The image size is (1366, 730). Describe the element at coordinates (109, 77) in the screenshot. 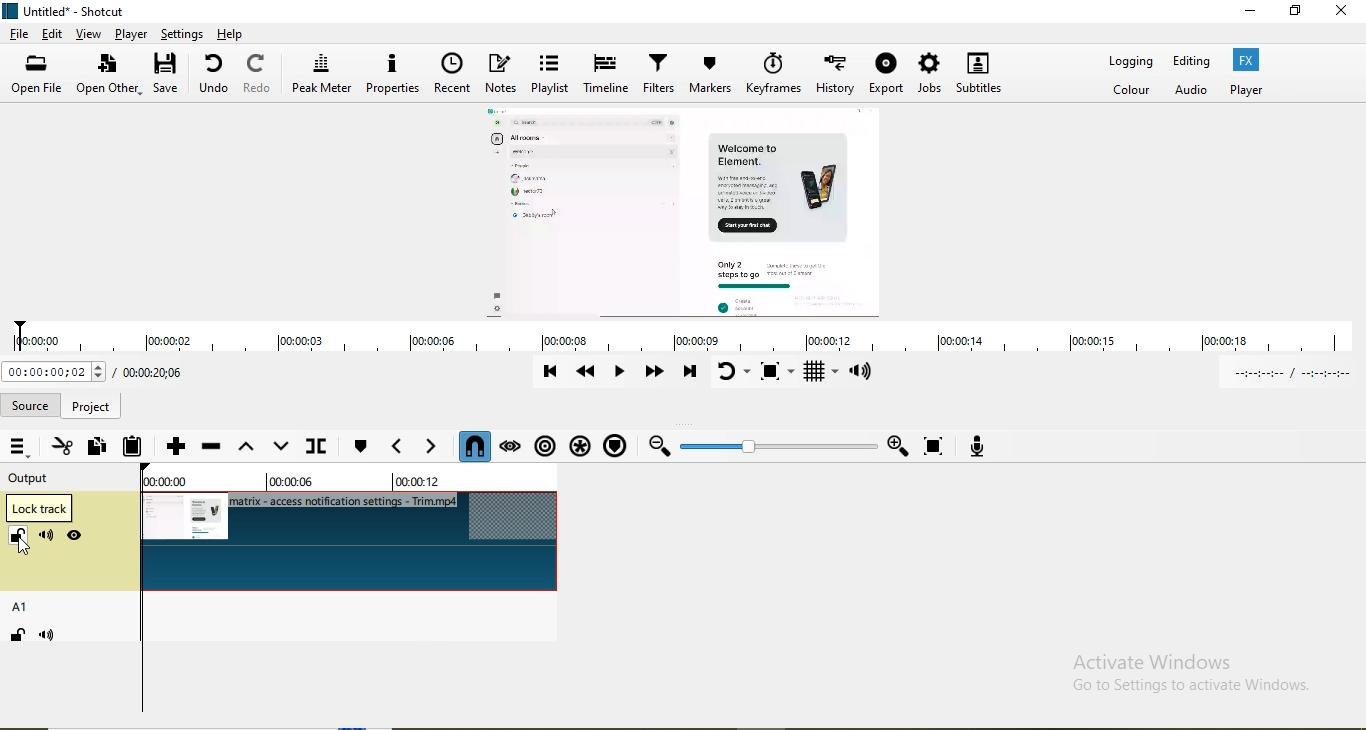

I see `Open other ` at that location.